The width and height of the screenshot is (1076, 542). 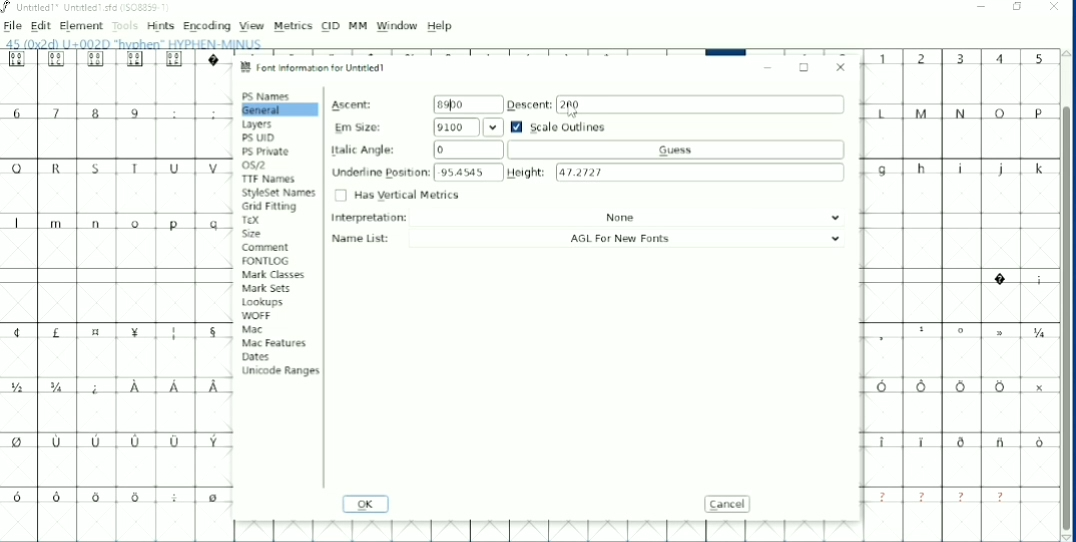 I want to click on Maximize, so click(x=805, y=68).